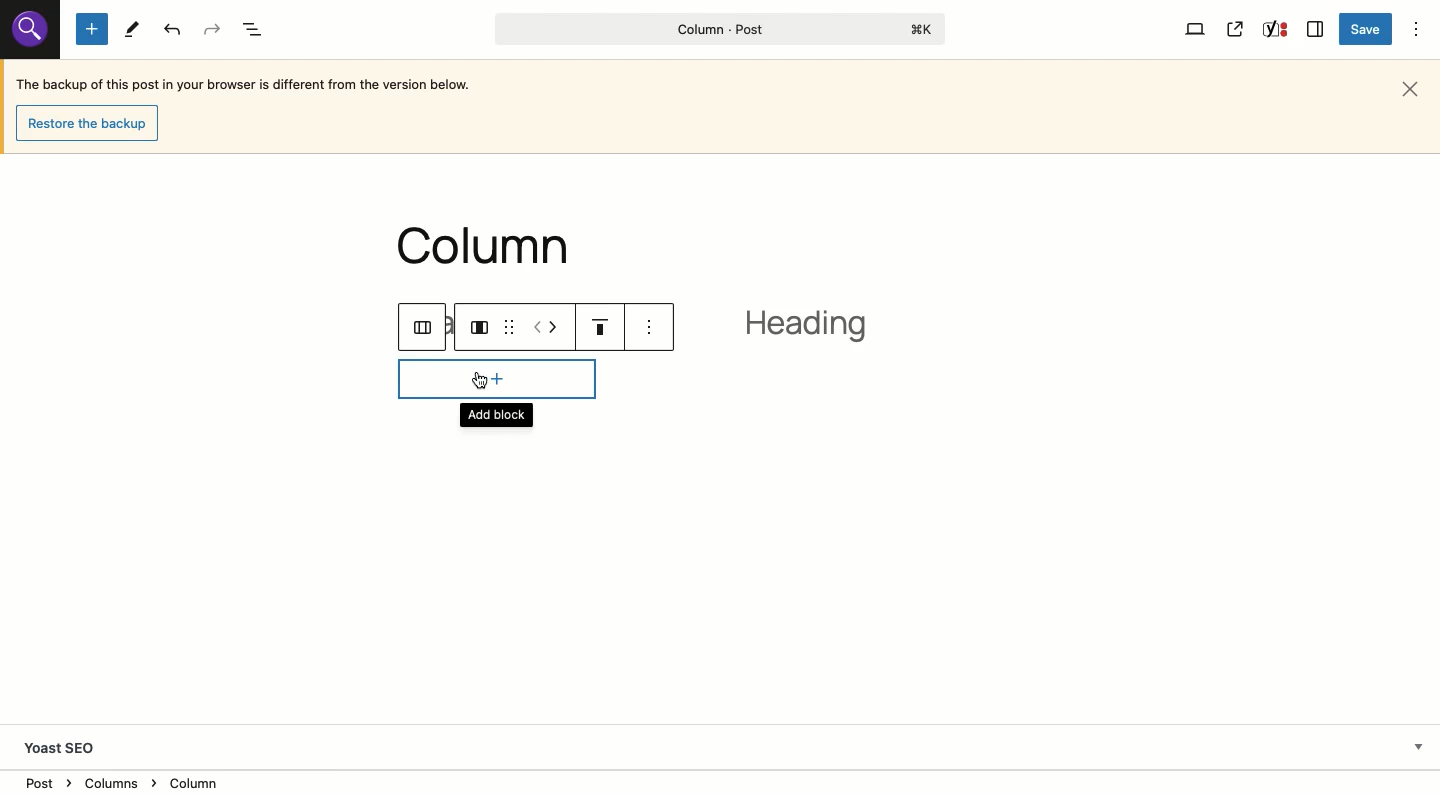  What do you see at coordinates (481, 326) in the screenshot?
I see `Column layout` at bounding box center [481, 326].